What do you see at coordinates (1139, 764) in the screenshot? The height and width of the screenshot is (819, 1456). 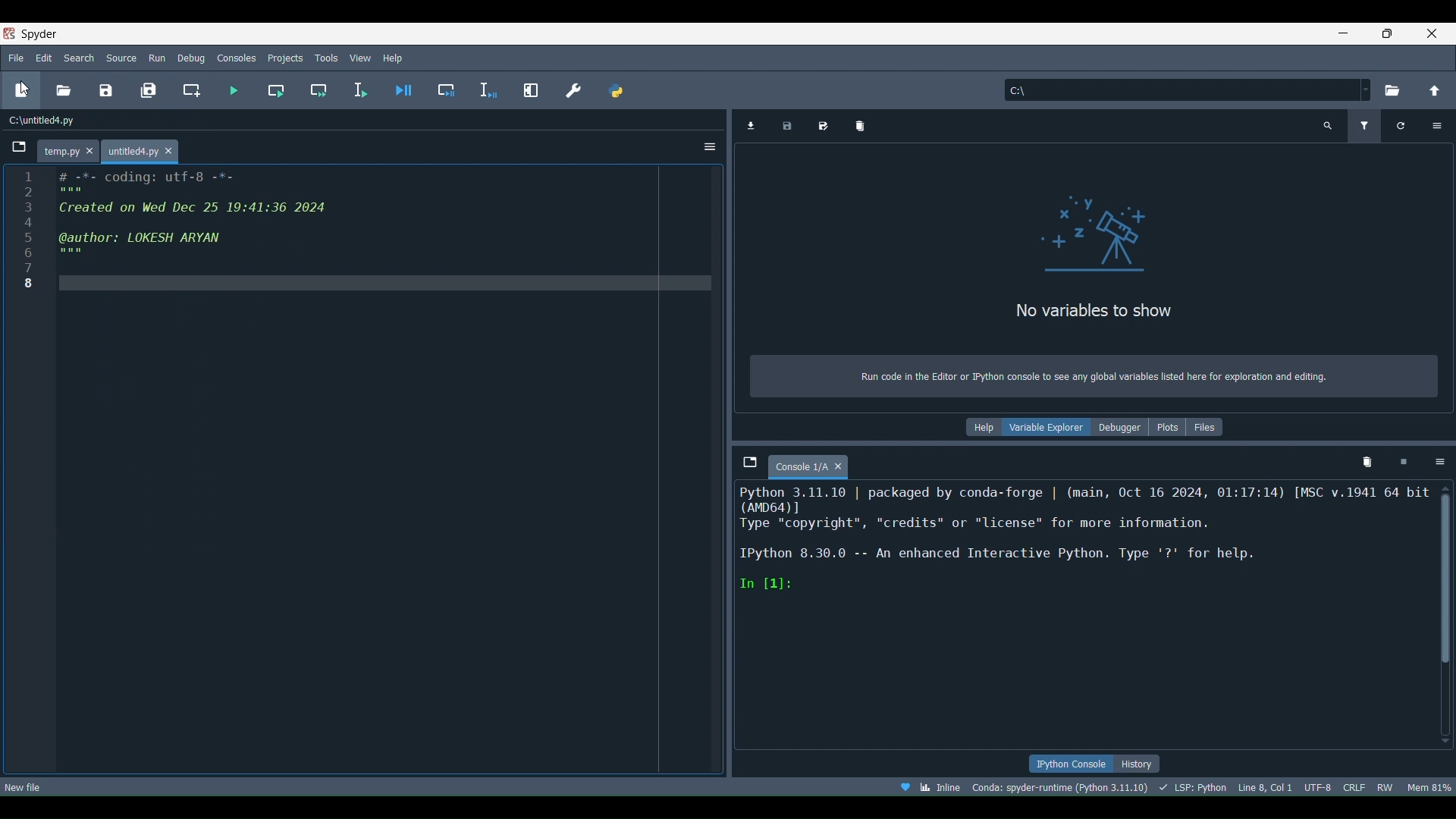 I see `History` at bounding box center [1139, 764].